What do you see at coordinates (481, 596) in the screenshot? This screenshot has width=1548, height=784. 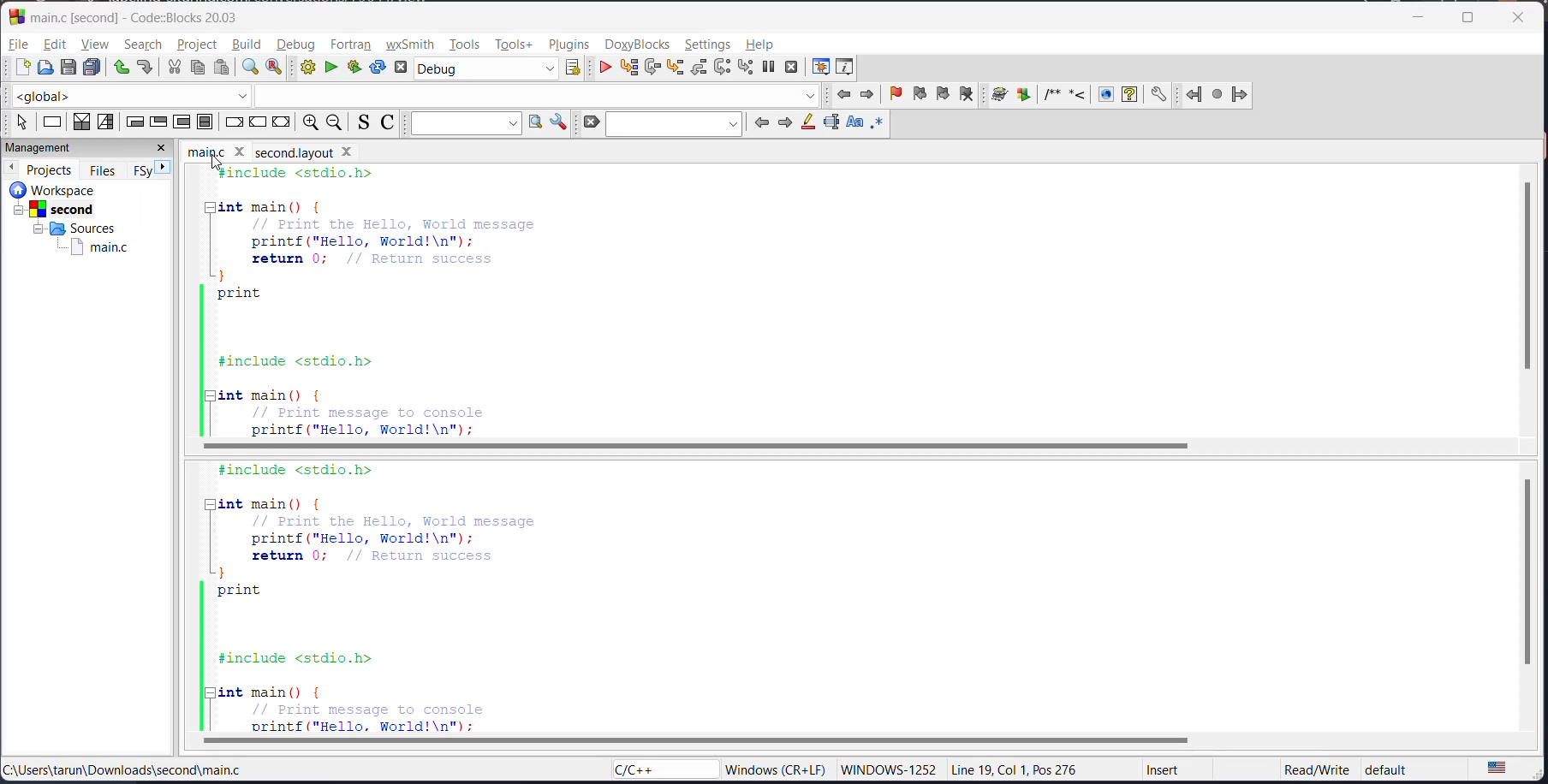 I see `code editor` at bounding box center [481, 596].